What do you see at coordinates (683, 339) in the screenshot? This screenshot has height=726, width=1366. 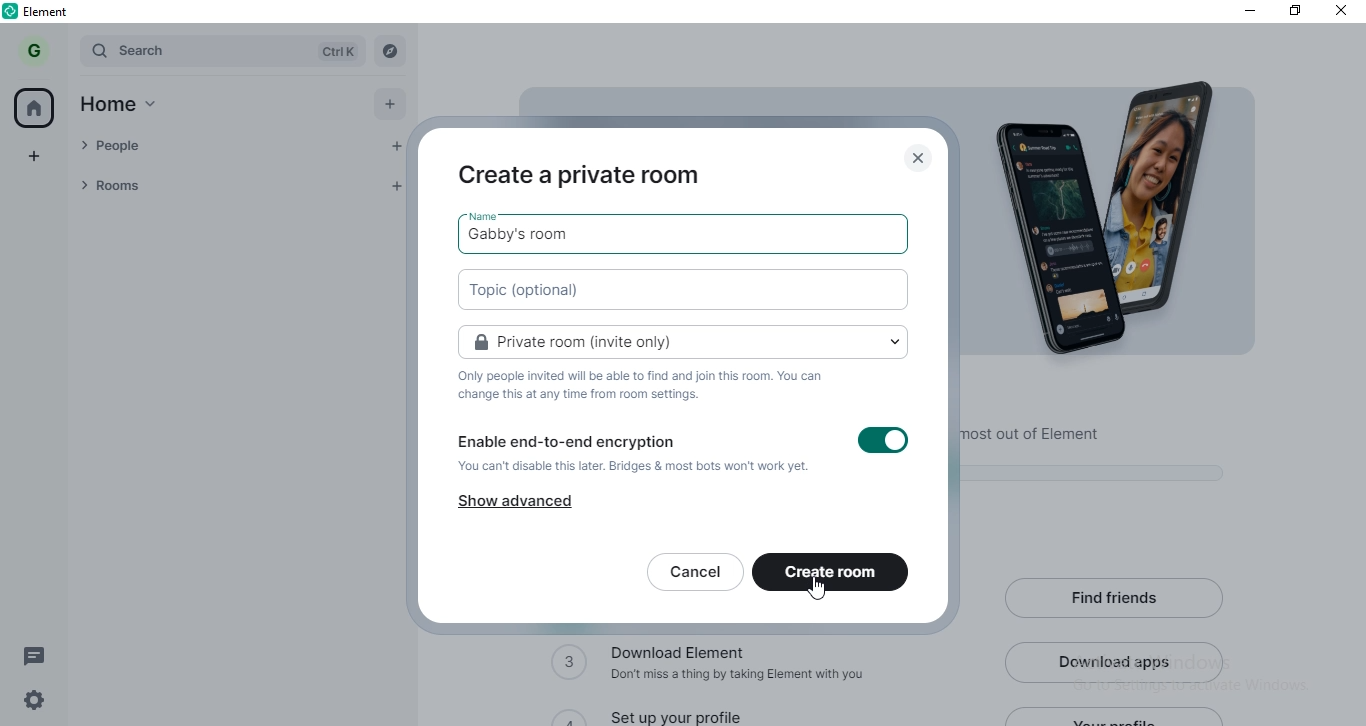 I see `private room` at bounding box center [683, 339].